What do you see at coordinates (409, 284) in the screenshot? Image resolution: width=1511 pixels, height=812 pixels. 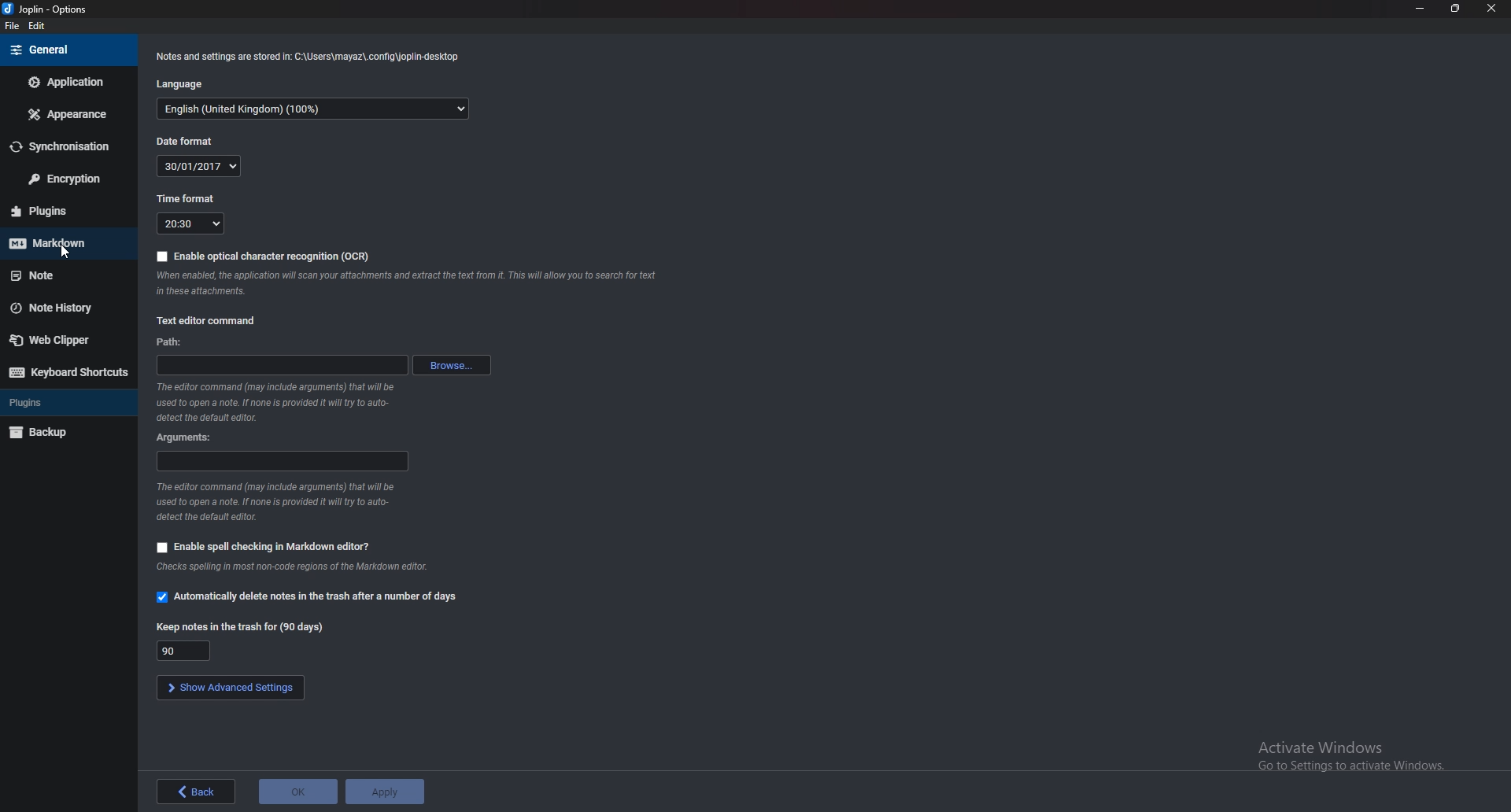 I see `When enabled the application will scan your attachments and extract the text from it. This will allow you to search for text in these attachments.` at bounding box center [409, 284].